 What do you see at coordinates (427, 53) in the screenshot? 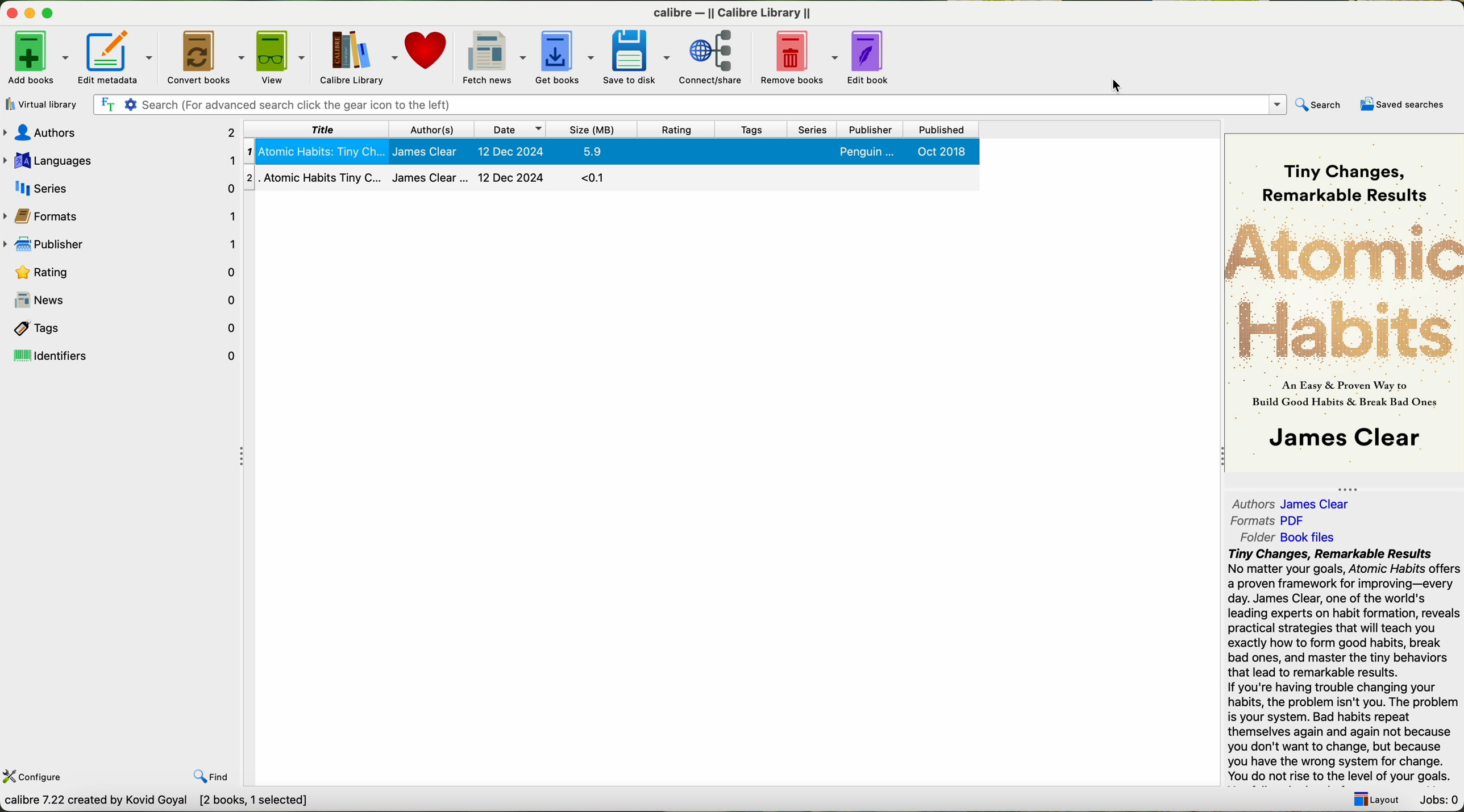
I see `donate` at bounding box center [427, 53].